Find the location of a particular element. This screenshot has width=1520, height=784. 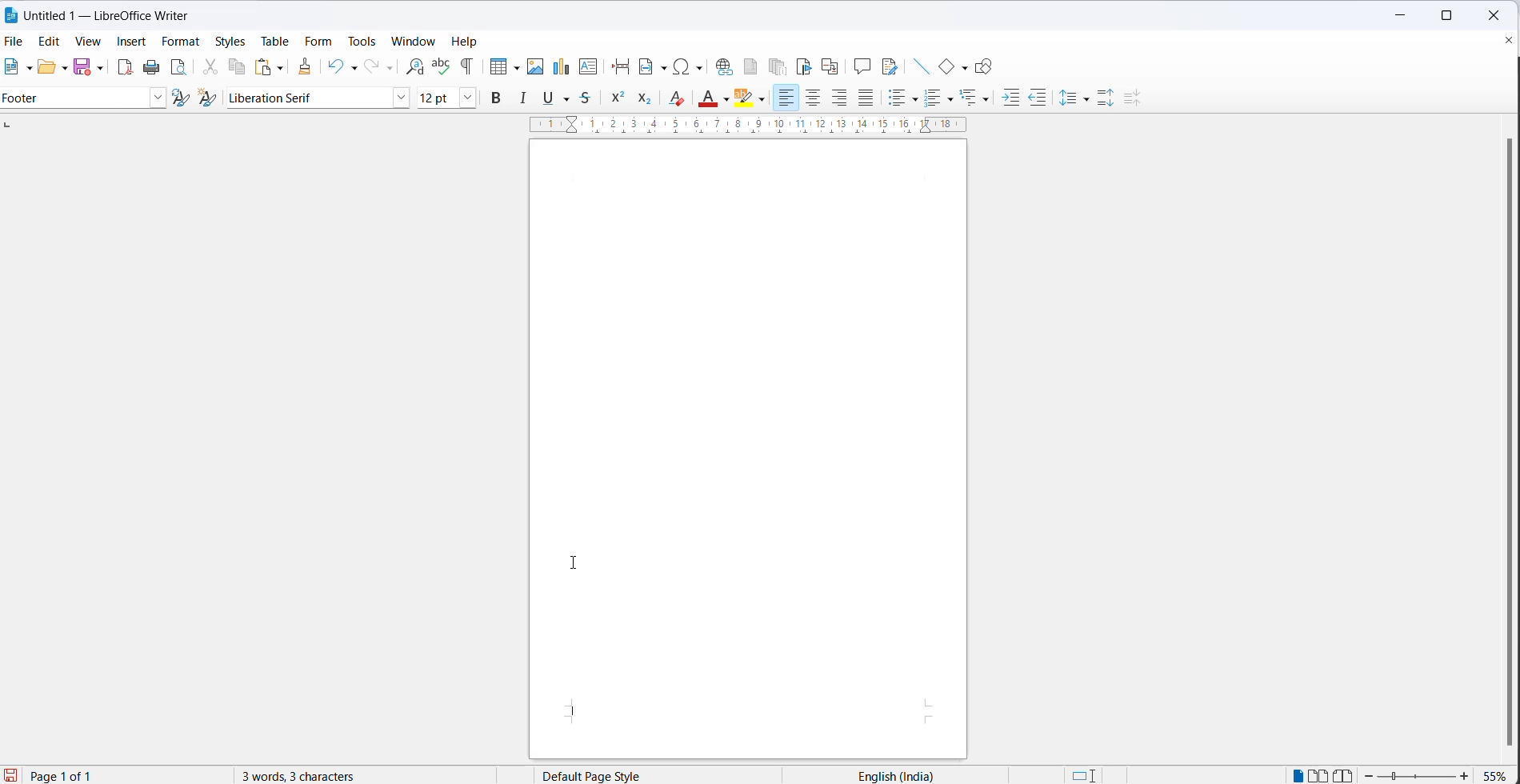

single page view is located at coordinates (1294, 775).